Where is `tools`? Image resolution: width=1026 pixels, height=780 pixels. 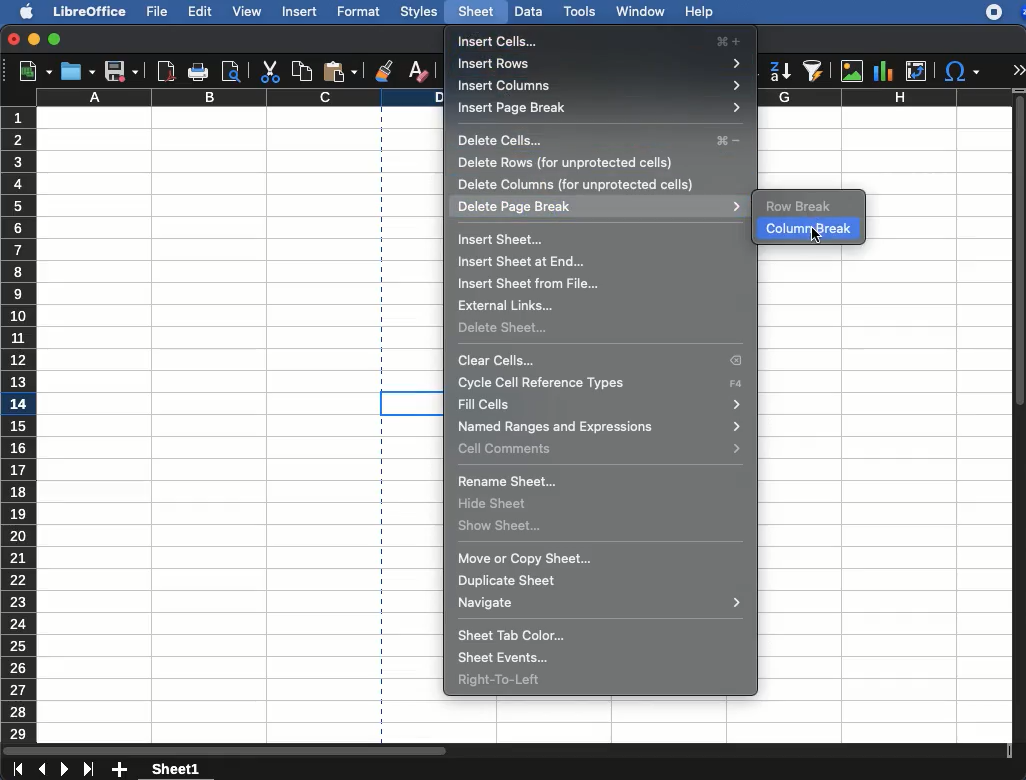
tools is located at coordinates (580, 13).